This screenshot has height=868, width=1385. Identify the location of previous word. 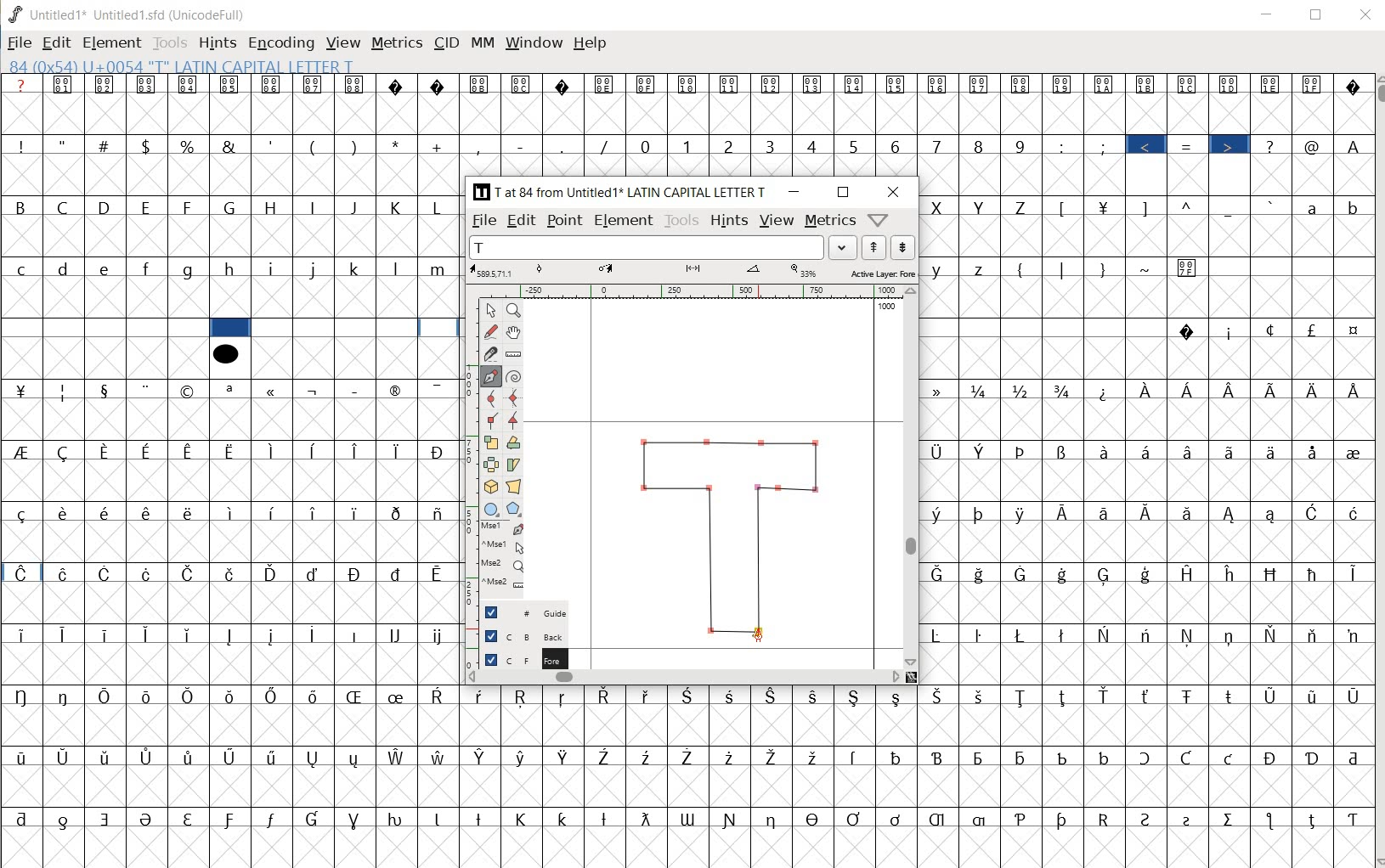
(877, 248).